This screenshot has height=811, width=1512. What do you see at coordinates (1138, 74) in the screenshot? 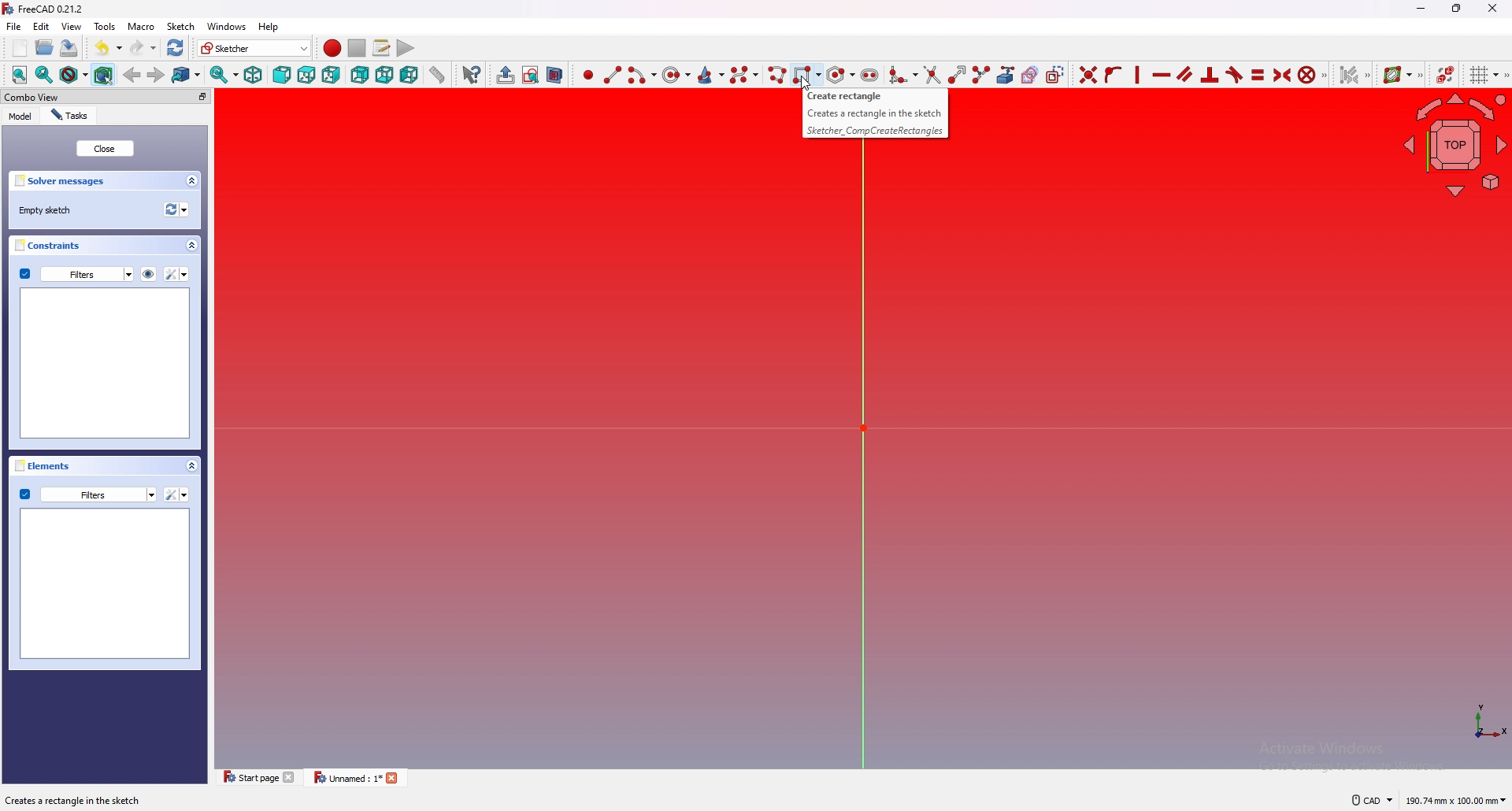
I see `constraint horizontally` at bounding box center [1138, 74].